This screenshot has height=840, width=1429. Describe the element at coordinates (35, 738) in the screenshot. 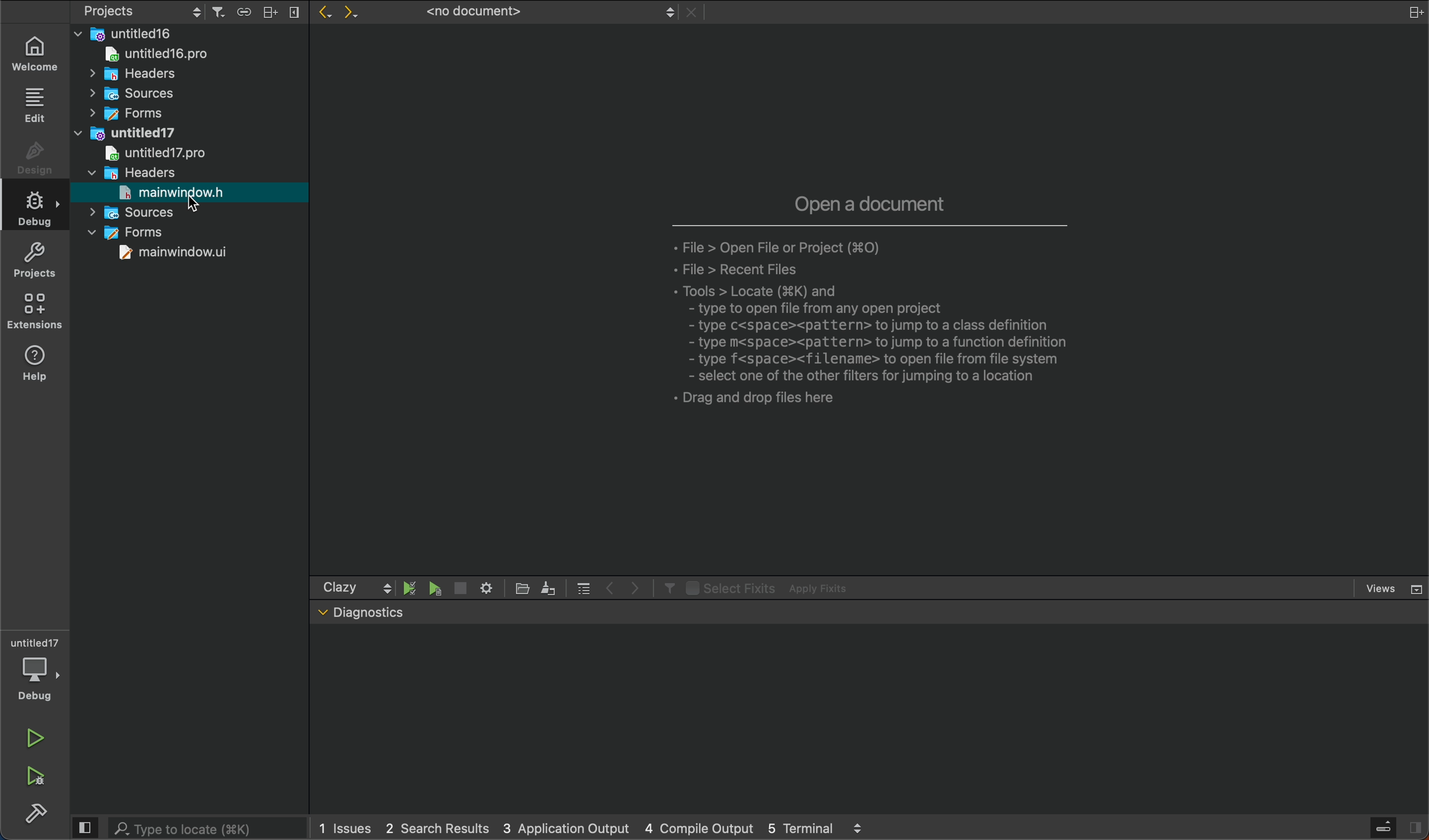

I see `run` at that location.